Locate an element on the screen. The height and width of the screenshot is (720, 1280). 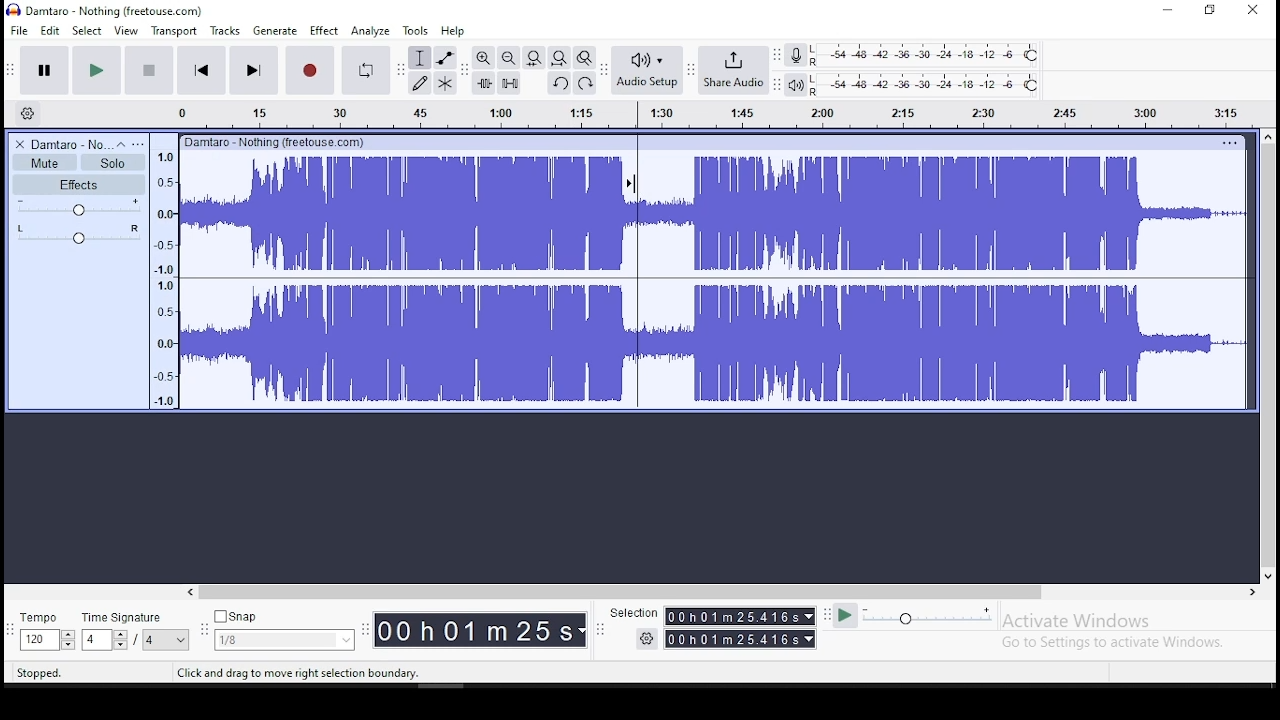
selection tool is located at coordinates (418, 57).